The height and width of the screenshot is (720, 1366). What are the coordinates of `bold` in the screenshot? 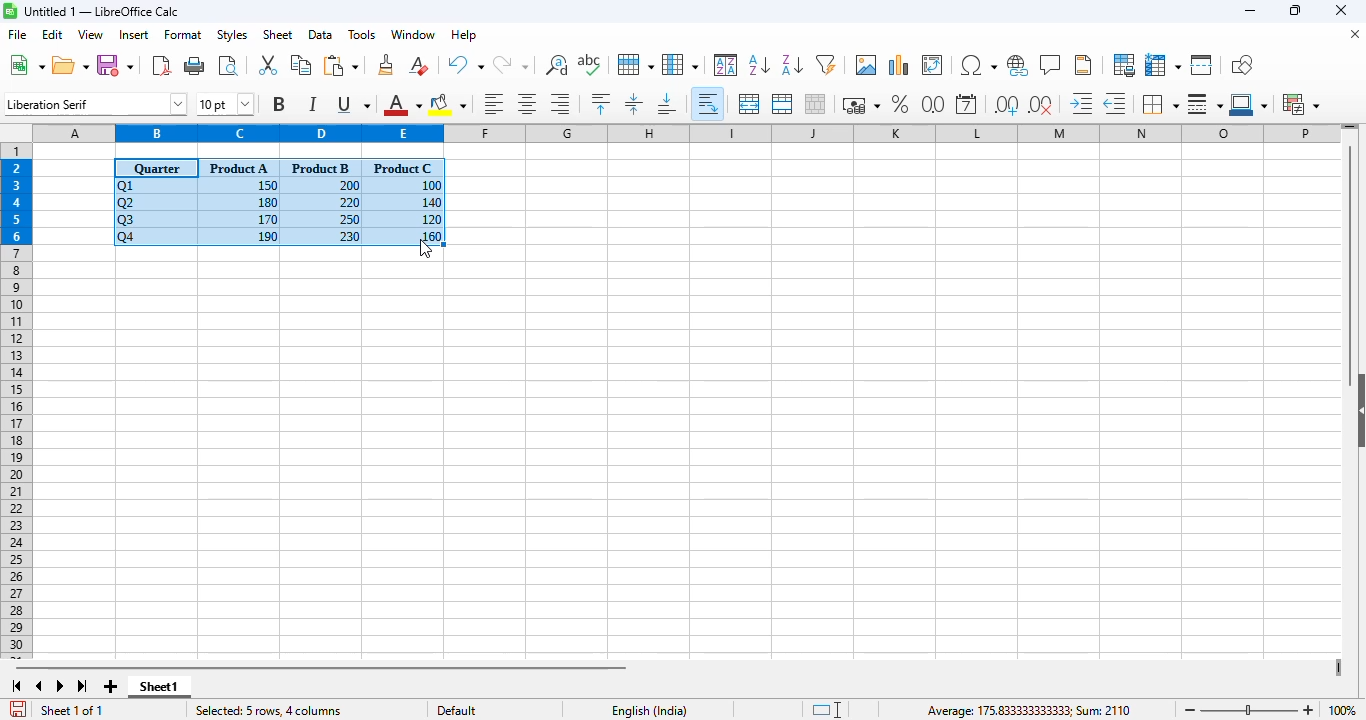 It's located at (279, 103).